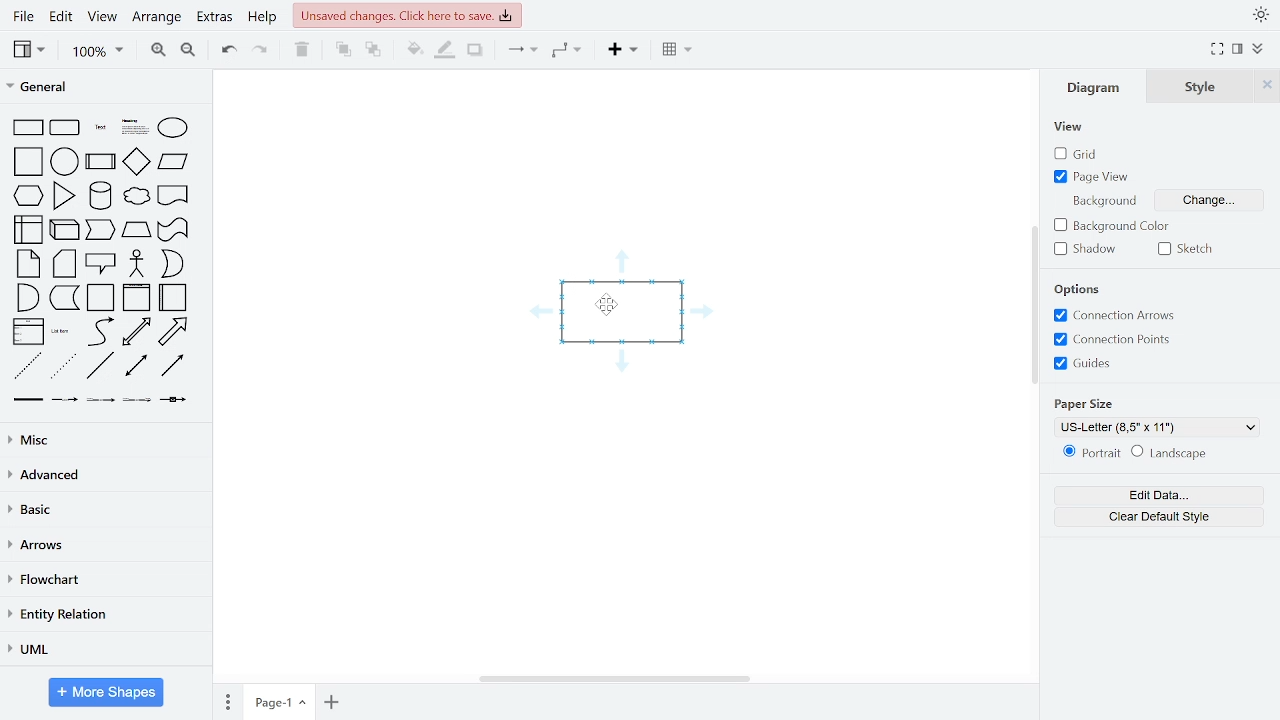 The image size is (1280, 720). Describe the element at coordinates (1260, 47) in the screenshot. I see `collapse` at that location.